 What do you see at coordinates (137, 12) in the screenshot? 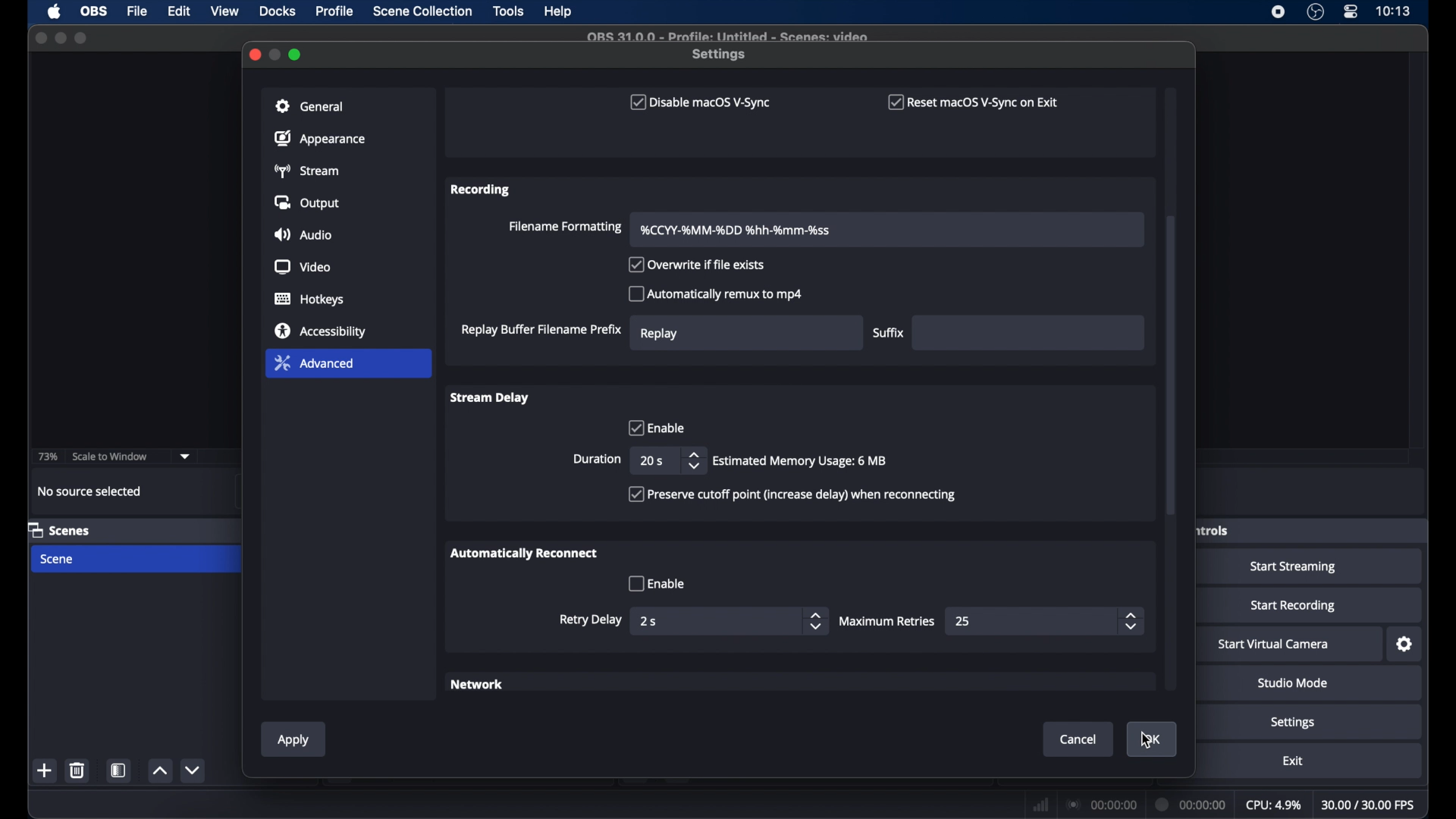
I see `file` at bounding box center [137, 12].